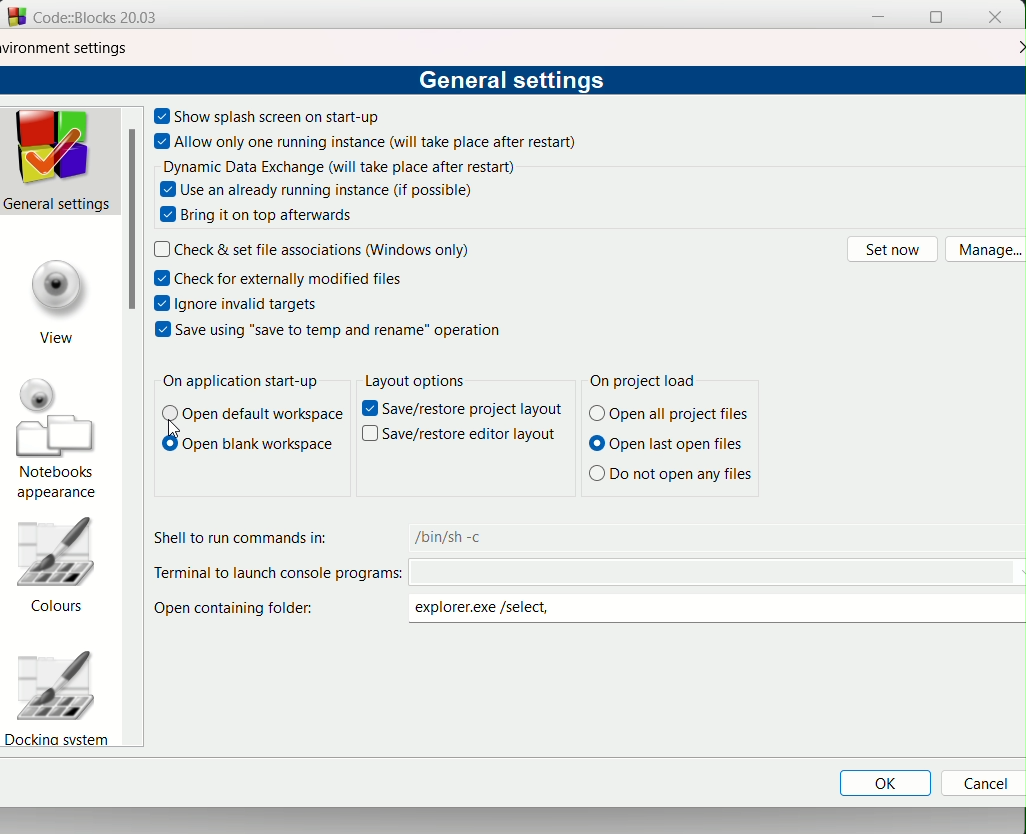 This screenshot has height=834, width=1026. What do you see at coordinates (250, 418) in the screenshot?
I see `open default workspace` at bounding box center [250, 418].